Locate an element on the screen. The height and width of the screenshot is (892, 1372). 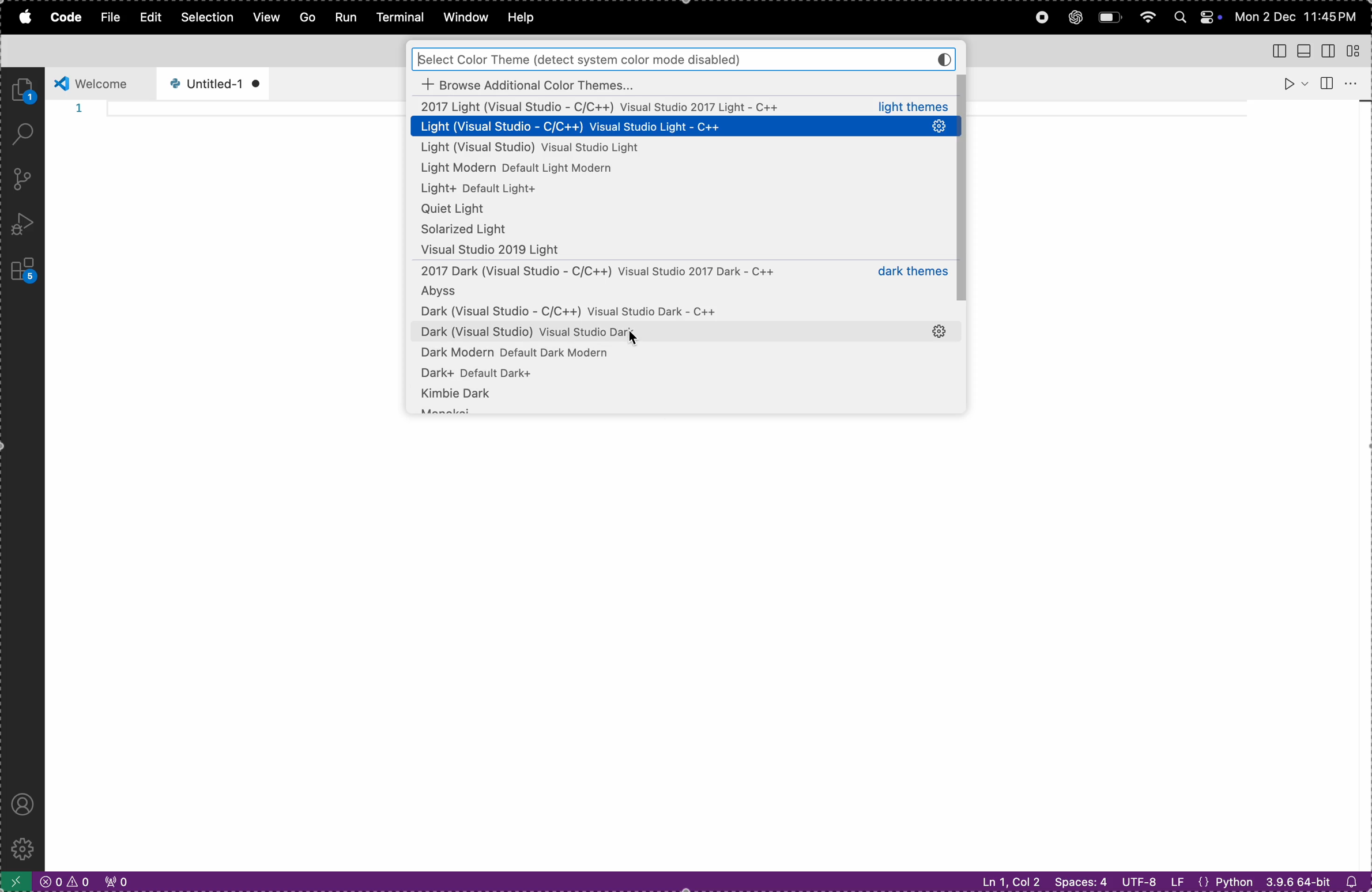
selection is located at coordinates (207, 18).